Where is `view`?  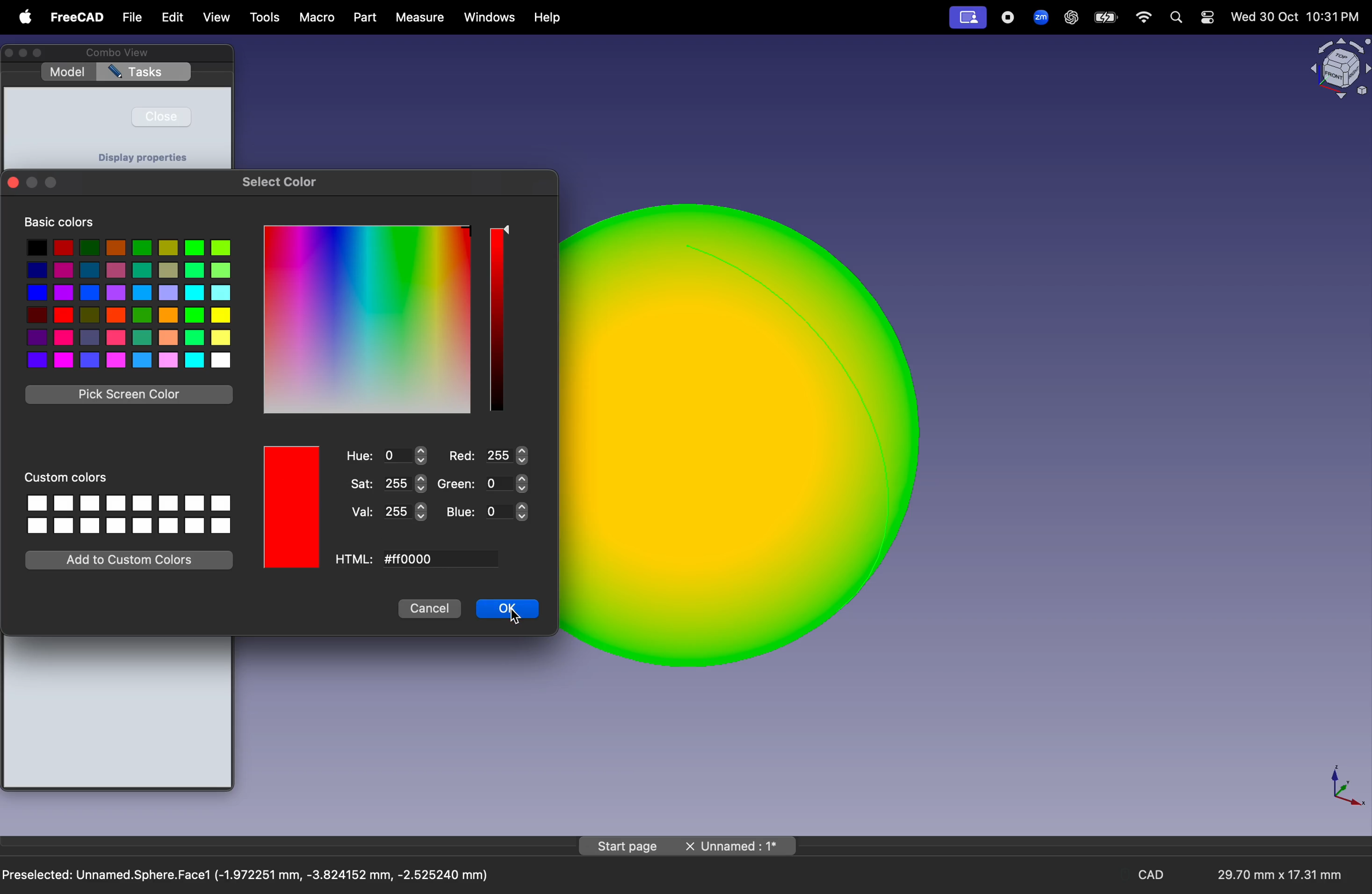
view is located at coordinates (217, 19).